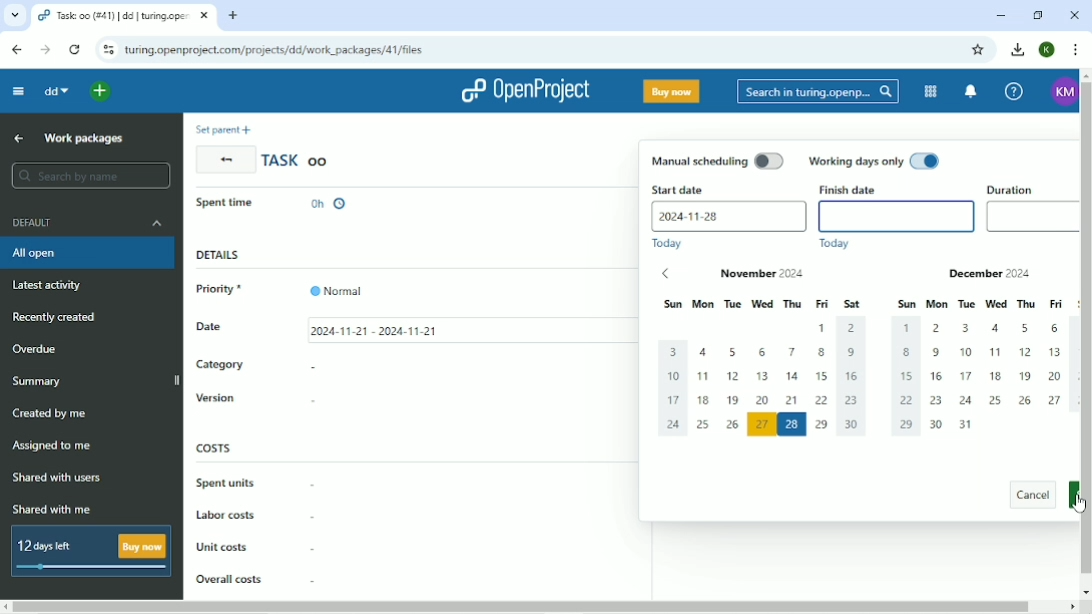 The image size is (1092, 614). Describe the element at coordinates (57, 479) in the screenshot. I see `Shared with users` at that location.